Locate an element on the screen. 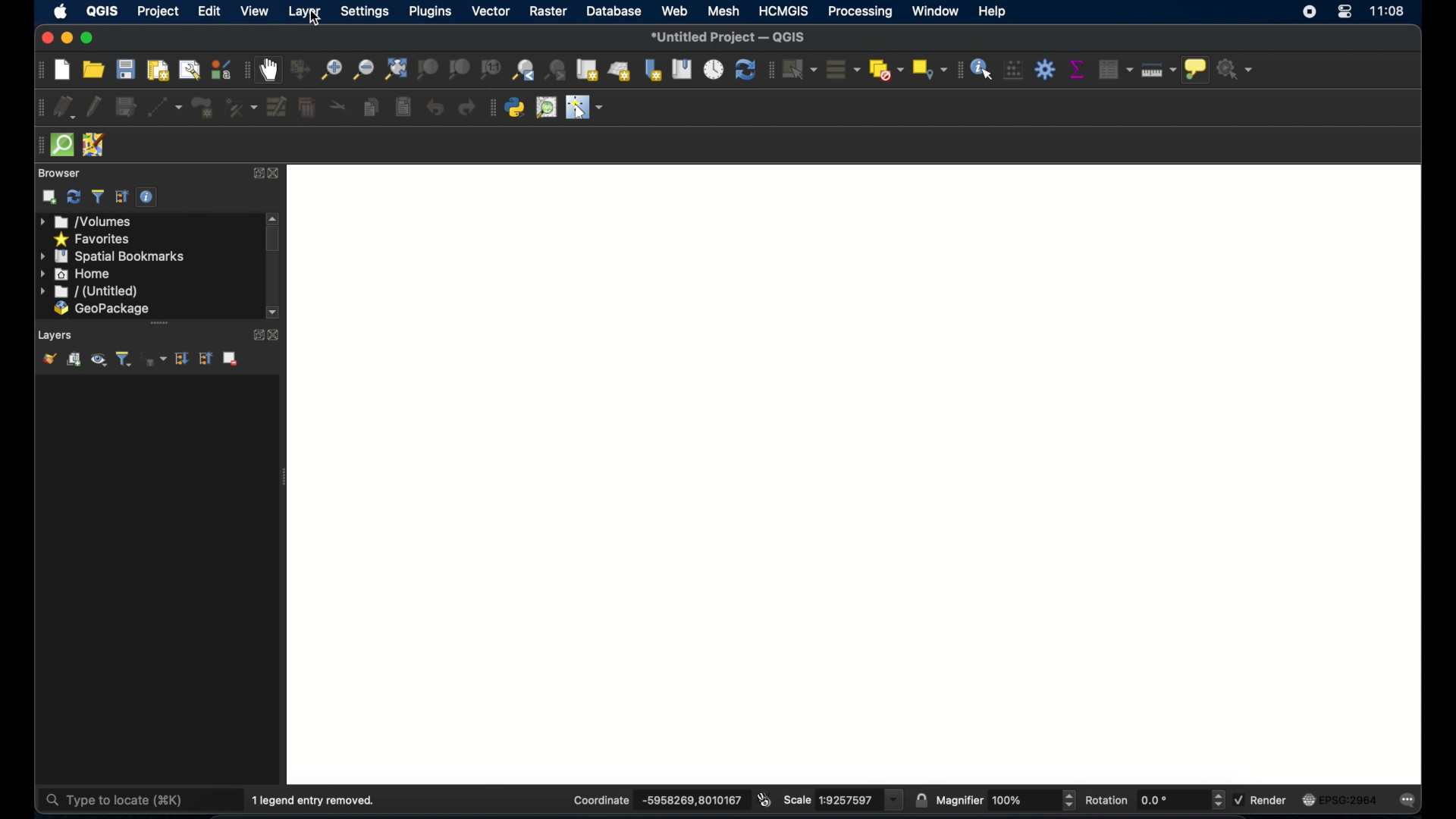  layers is located at coordinates (56, 334).